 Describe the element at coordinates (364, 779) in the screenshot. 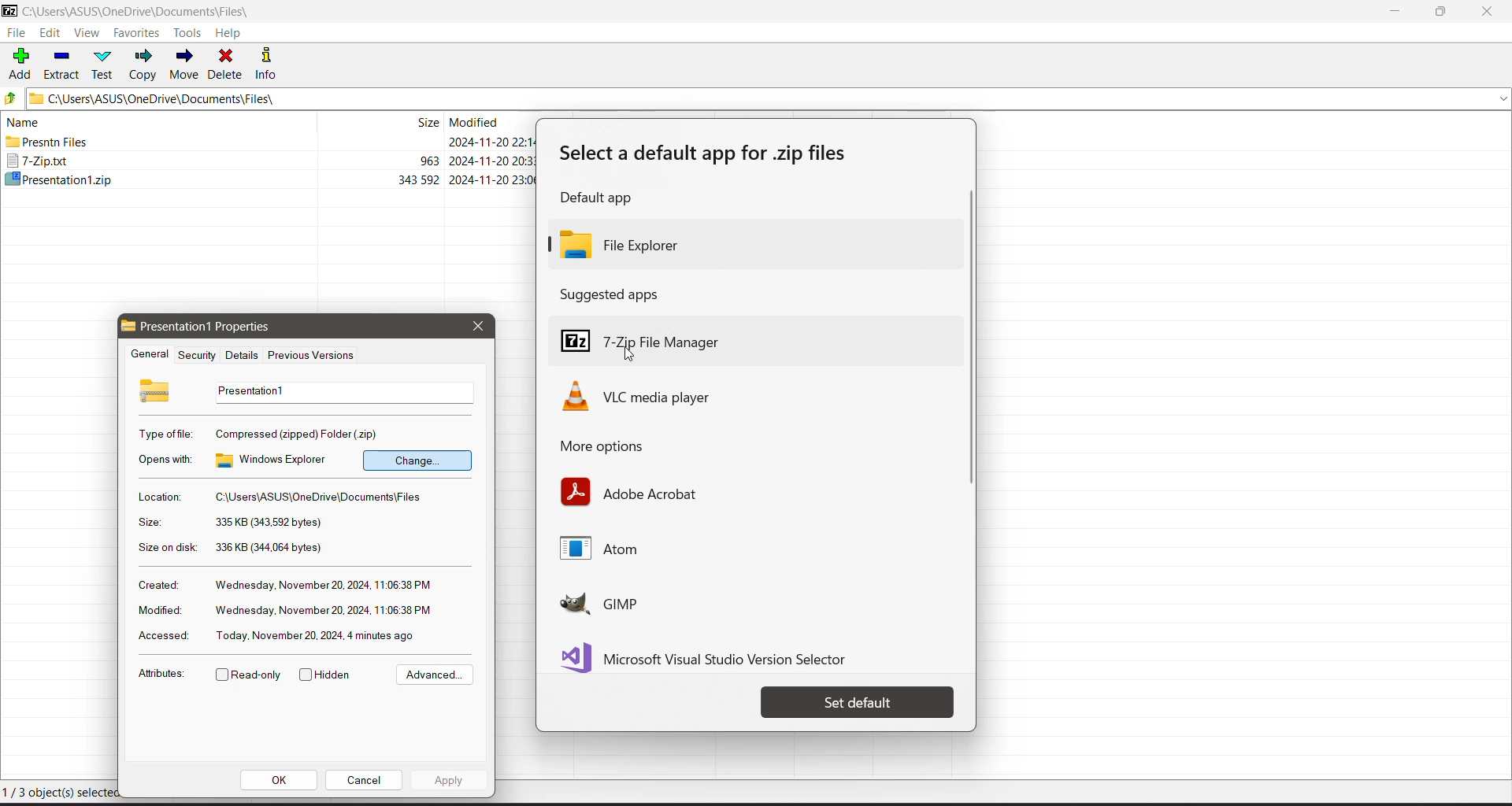

I see `Cancel` at that location.